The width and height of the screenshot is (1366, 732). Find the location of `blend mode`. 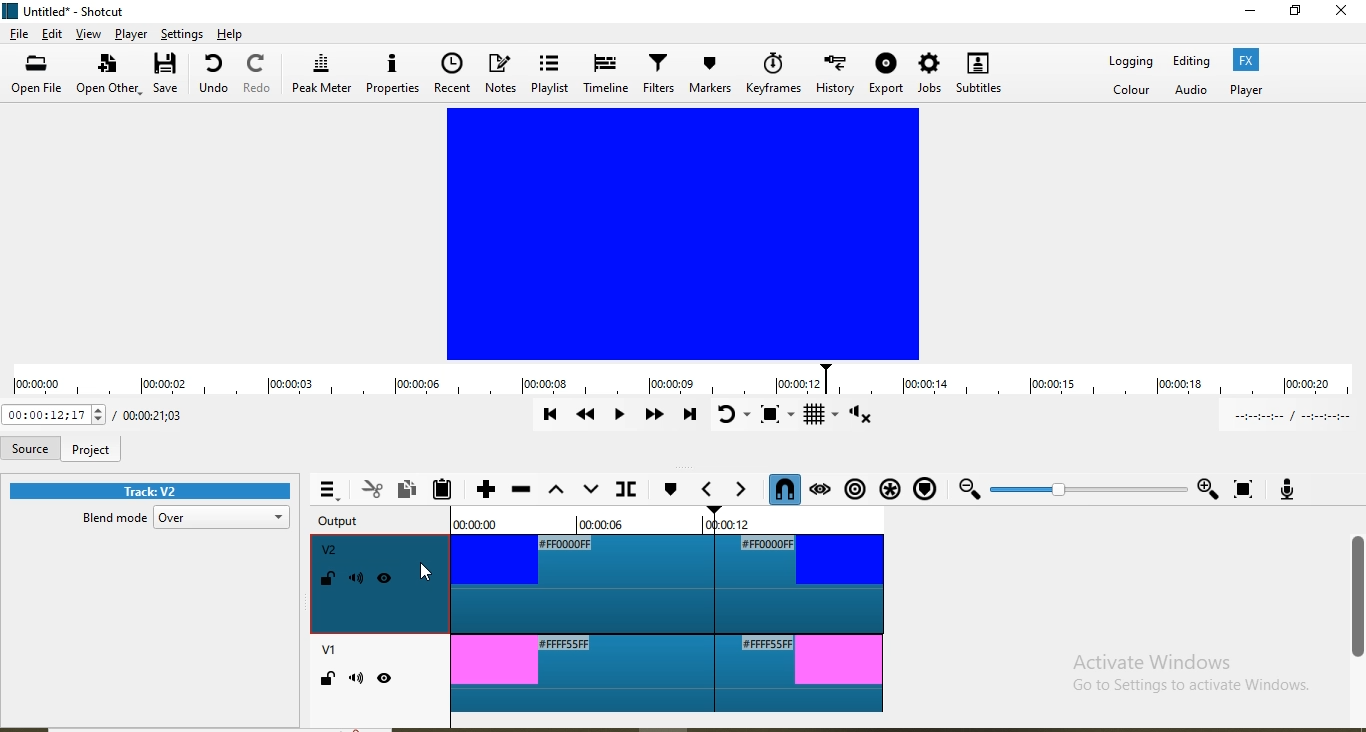

blend mode is located at coordinates (109, 521).